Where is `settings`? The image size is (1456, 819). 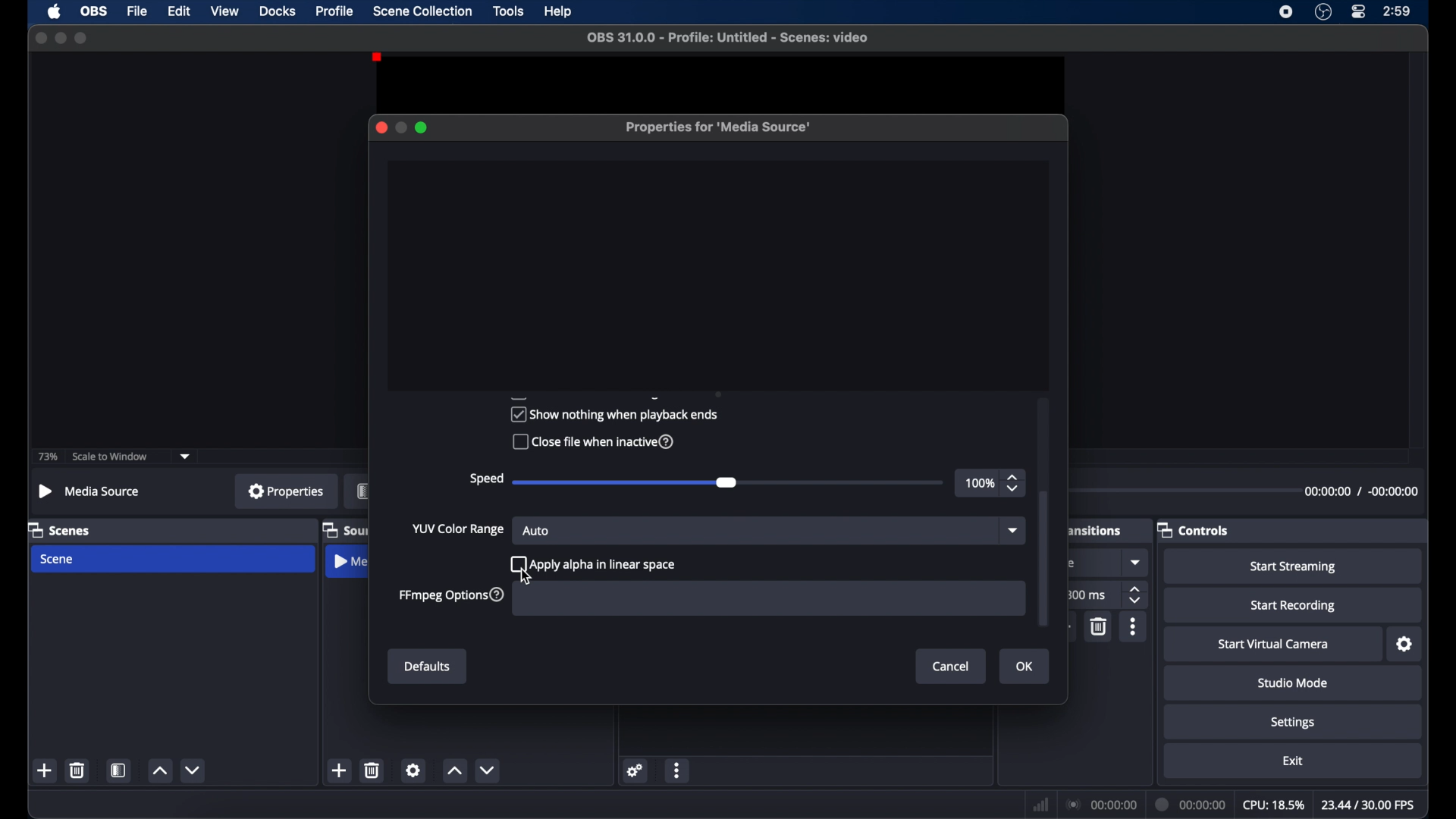
settings is located at coordinates (1293, 723).